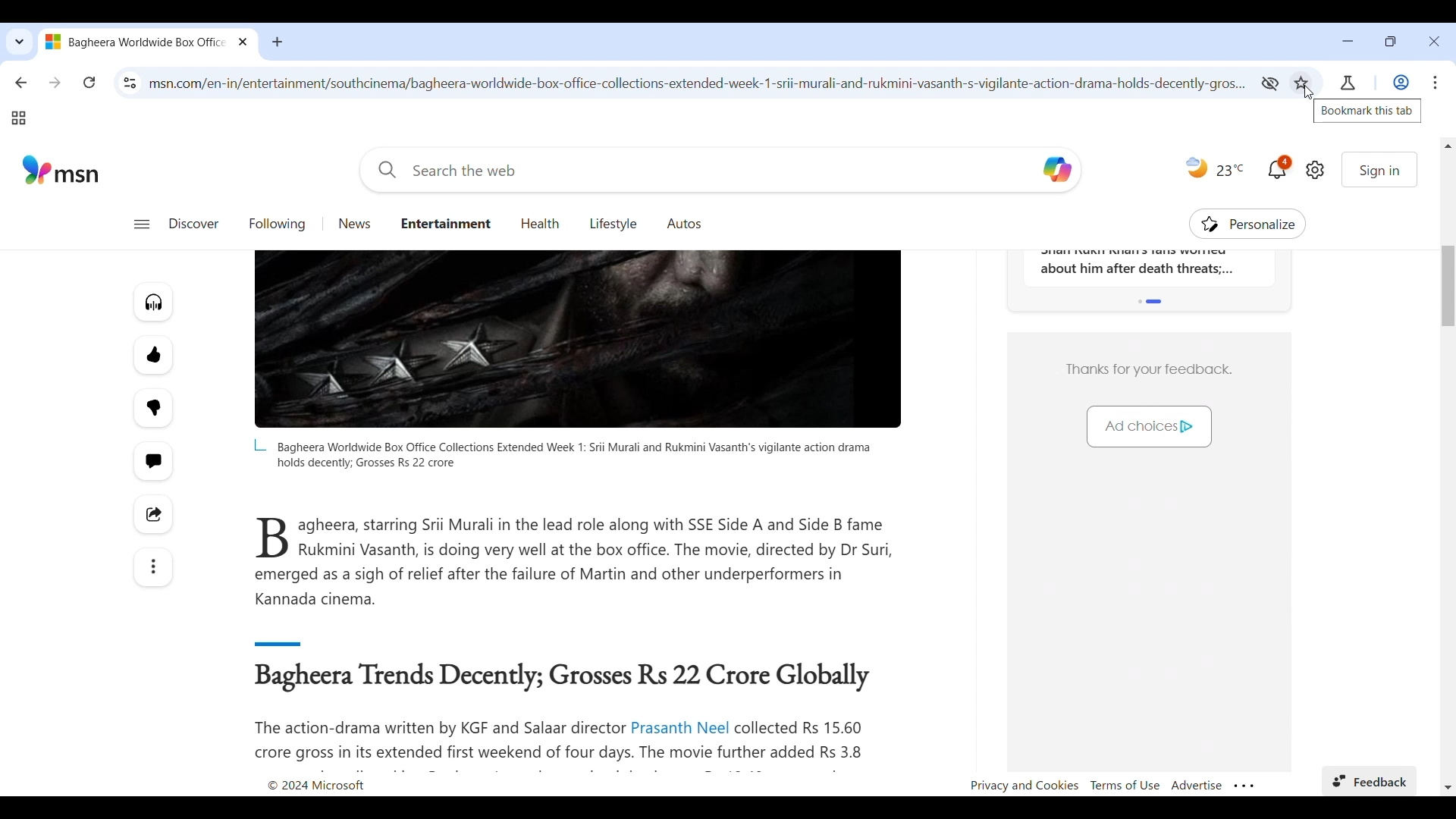 The height and width of the screenshot is (819, 1456). What do you see at coordinates (136, 41) in the screenshot?
I see `Current tab with logo of current site` at bounding box center [136, 41].